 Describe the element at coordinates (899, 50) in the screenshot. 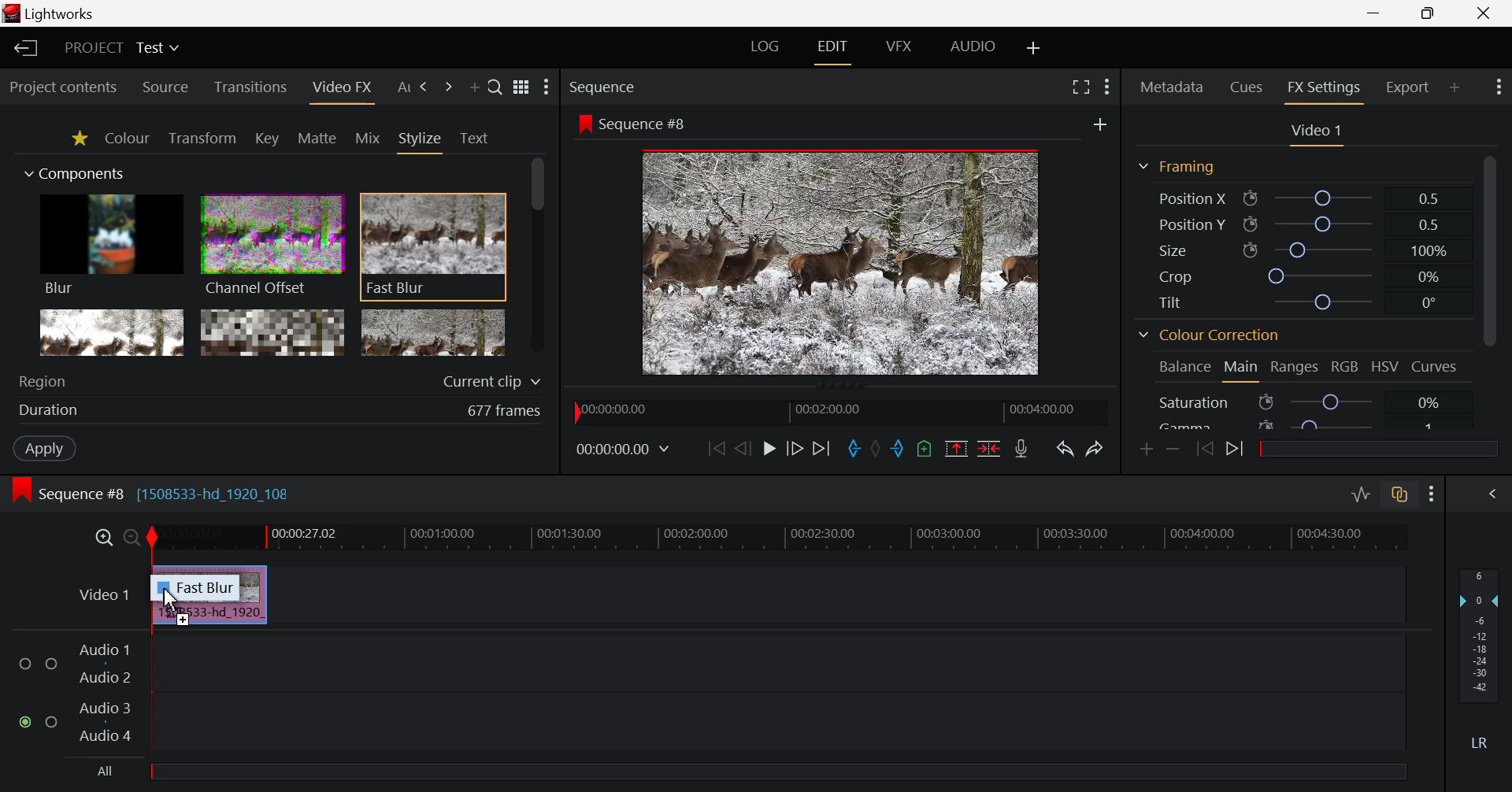

I see `VFX` at that location.